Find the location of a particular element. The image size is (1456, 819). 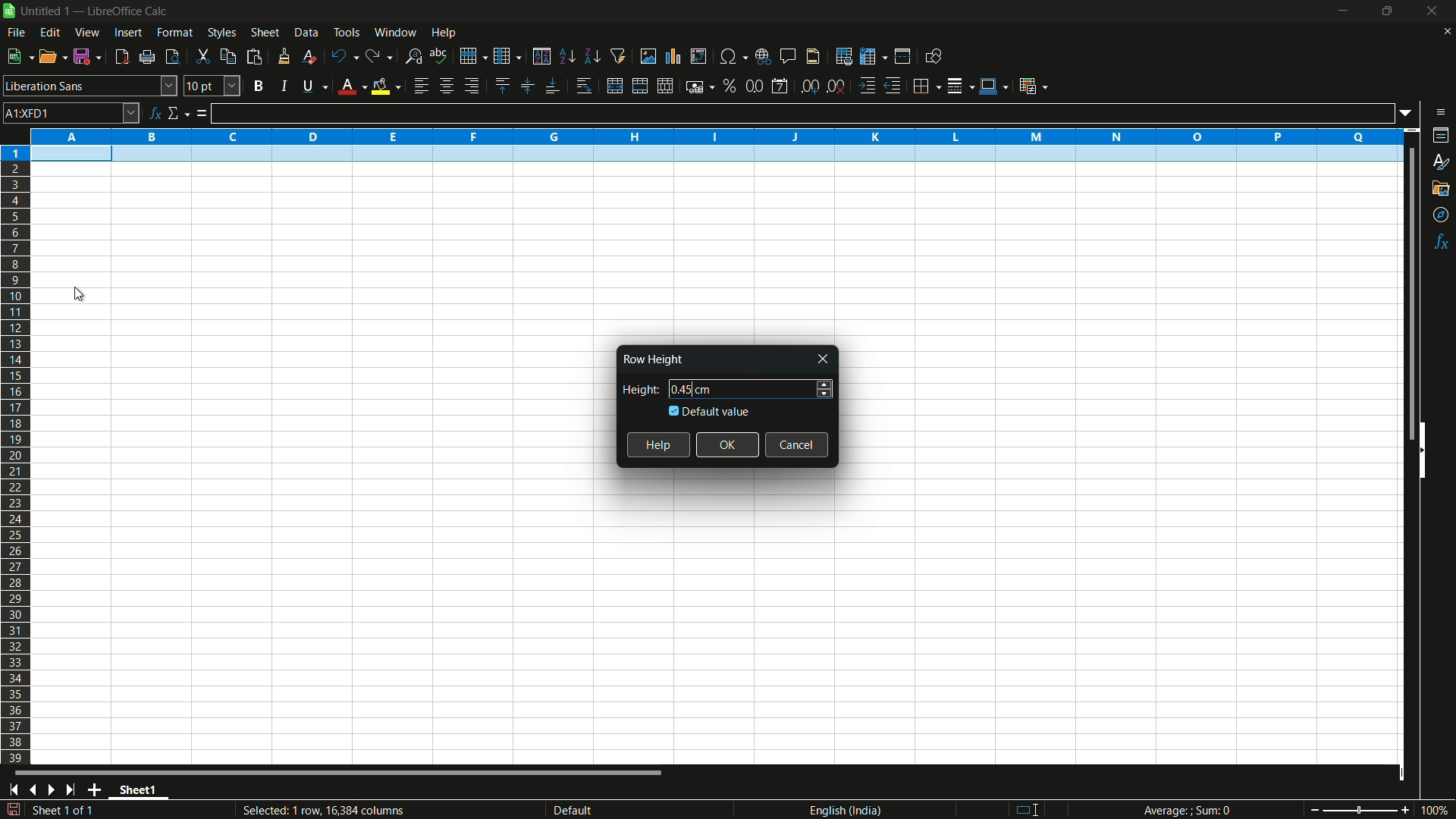

next sheet is located at coordinates (55, 789).